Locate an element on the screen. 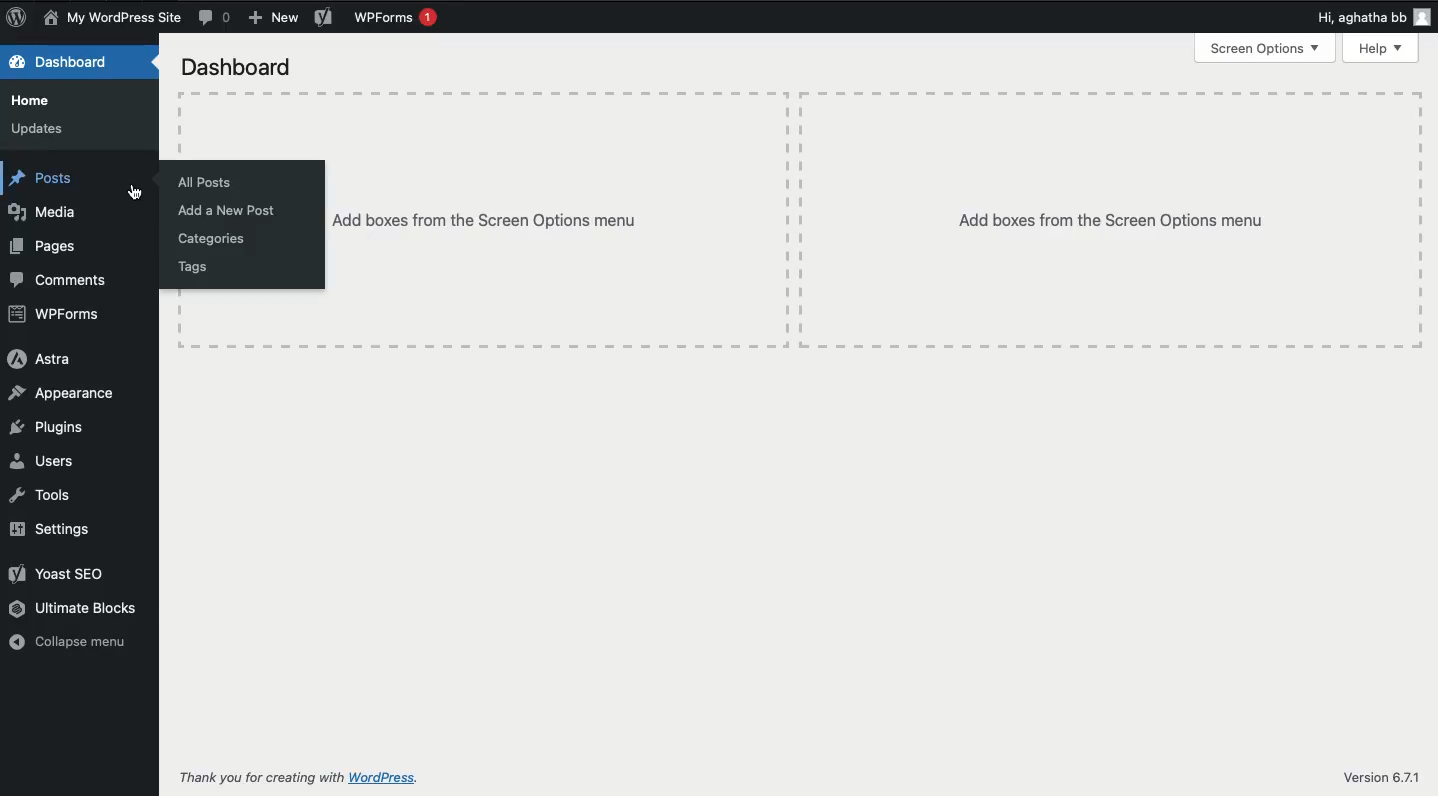 The image size is (1438, 796). WPForms is located at coordinates (53, 317).